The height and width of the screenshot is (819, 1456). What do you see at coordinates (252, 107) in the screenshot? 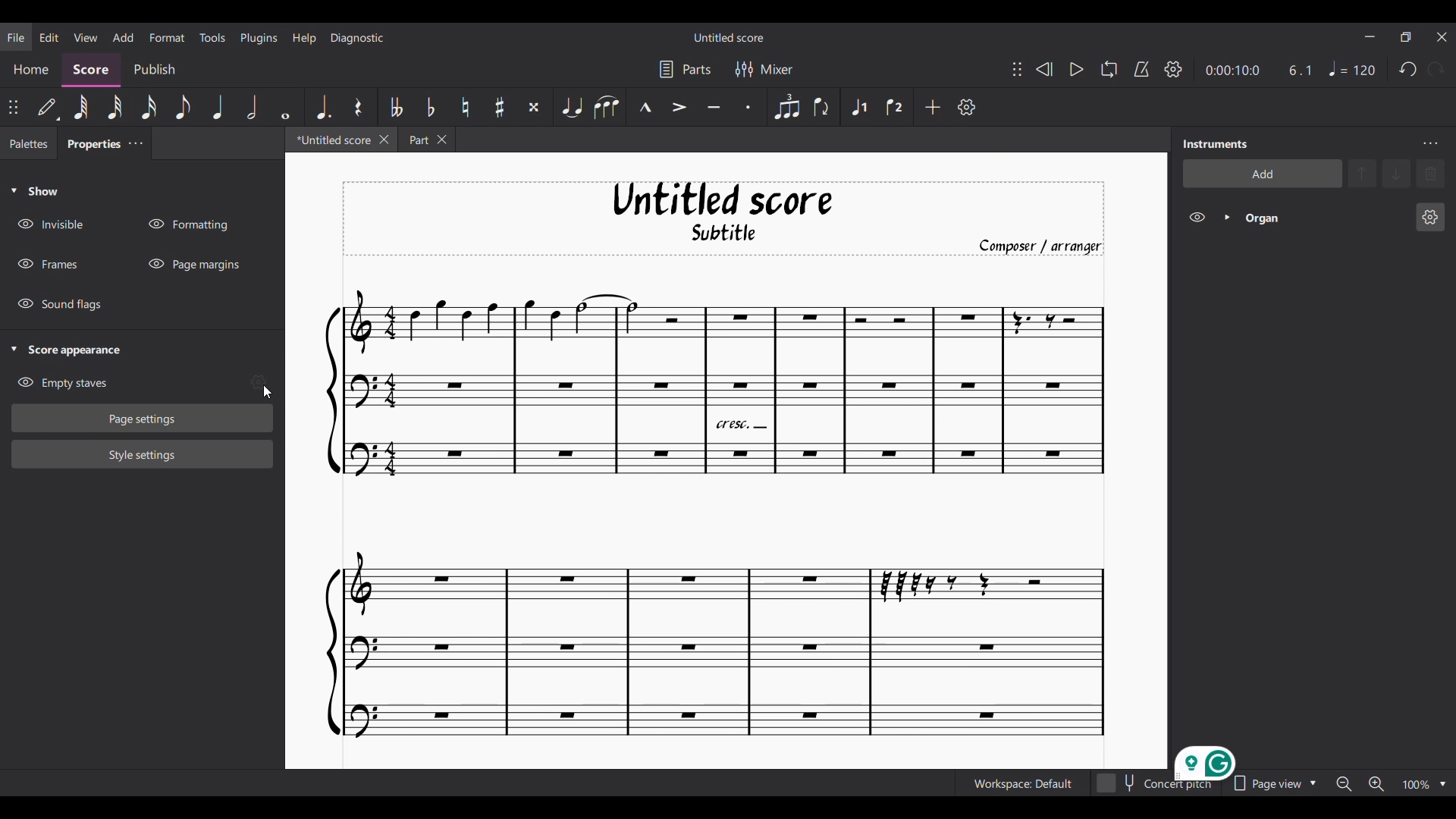
I see `Half note` at bounding box center [252, 107].